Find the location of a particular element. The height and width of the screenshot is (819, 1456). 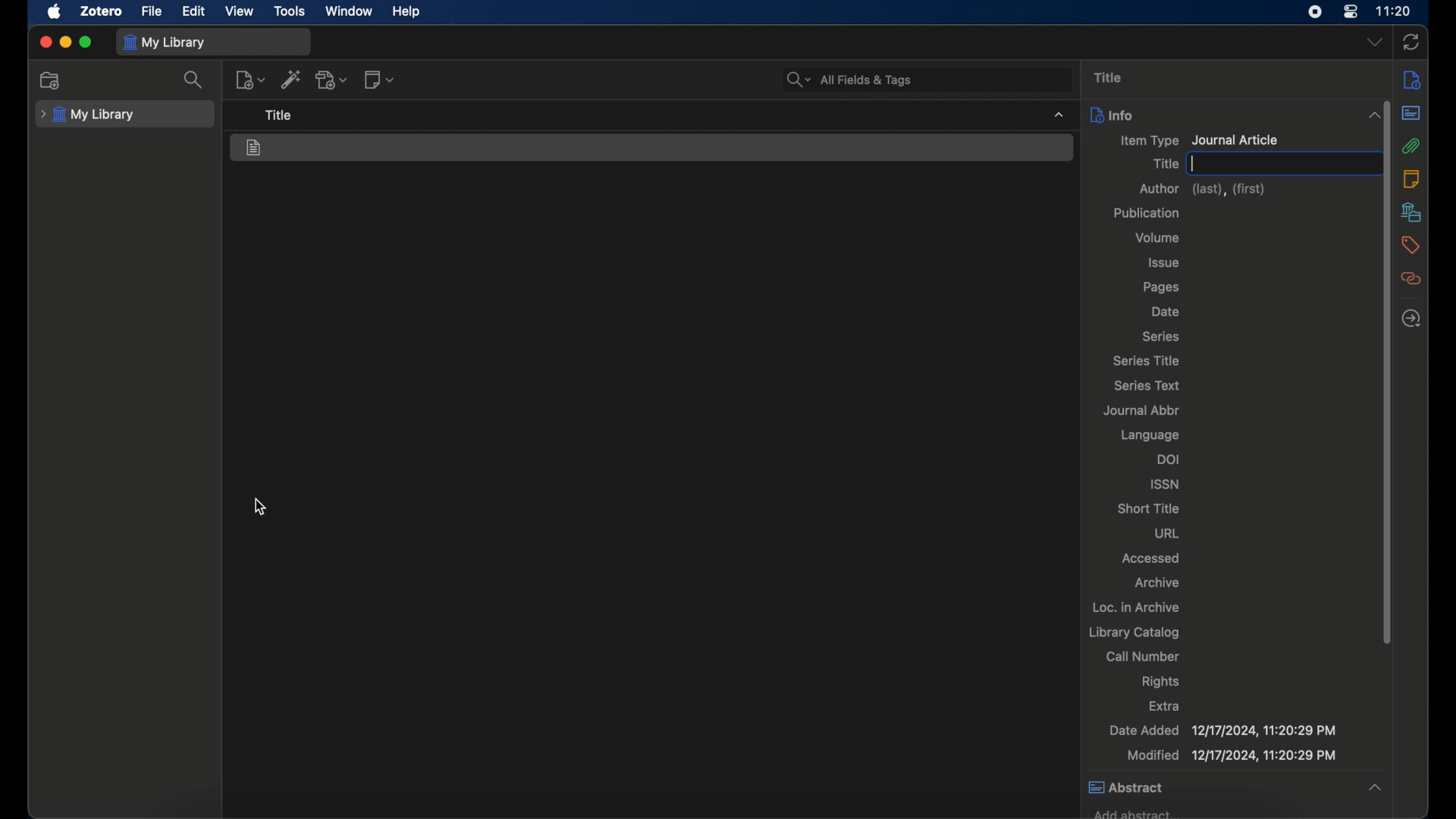

close is located at coordinates (45, 42).